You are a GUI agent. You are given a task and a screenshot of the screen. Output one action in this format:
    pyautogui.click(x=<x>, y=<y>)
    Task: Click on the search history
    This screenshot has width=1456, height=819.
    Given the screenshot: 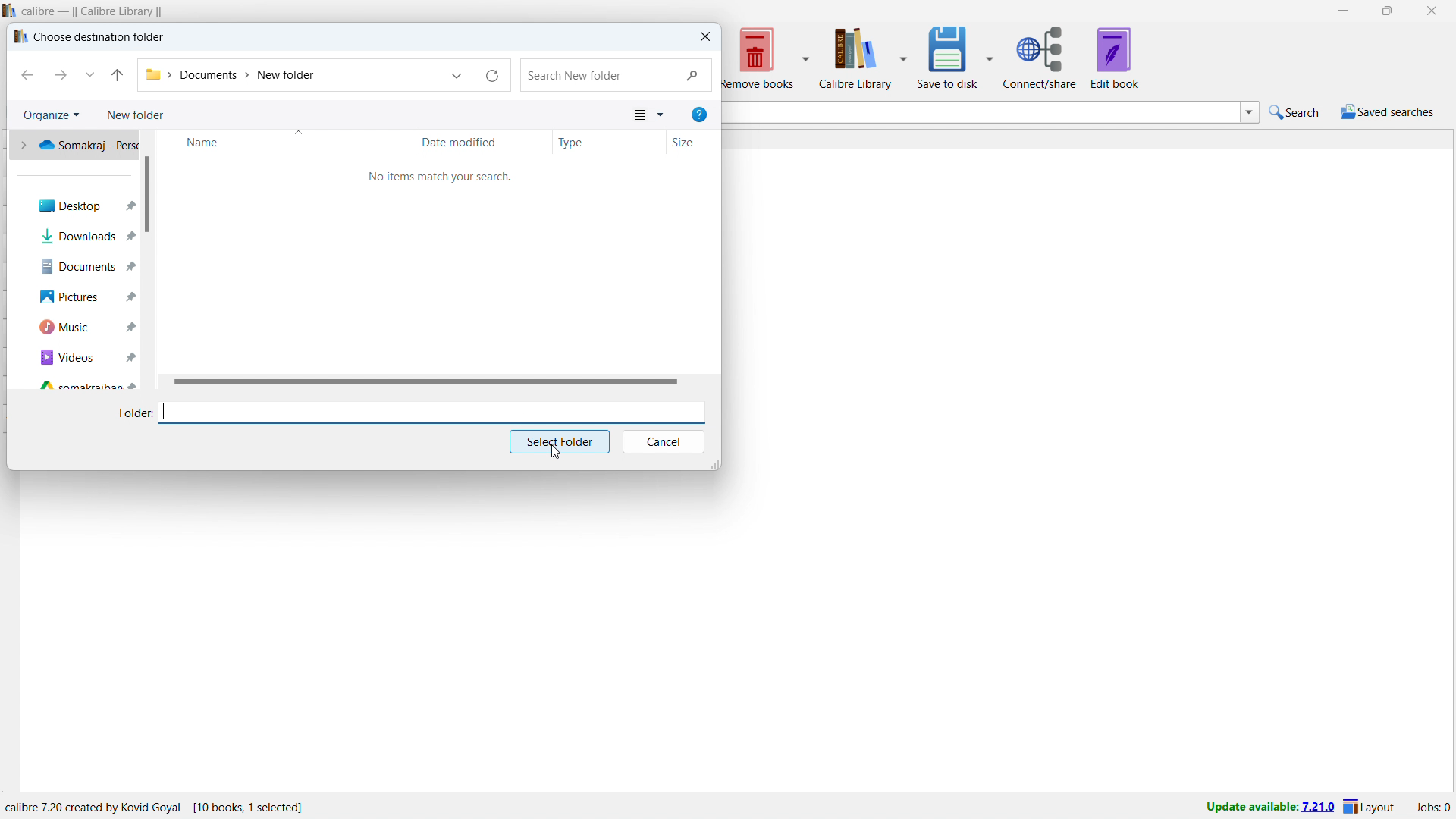 What is the action you would take?
    pyautogui.click(x=1248, y=113)
    